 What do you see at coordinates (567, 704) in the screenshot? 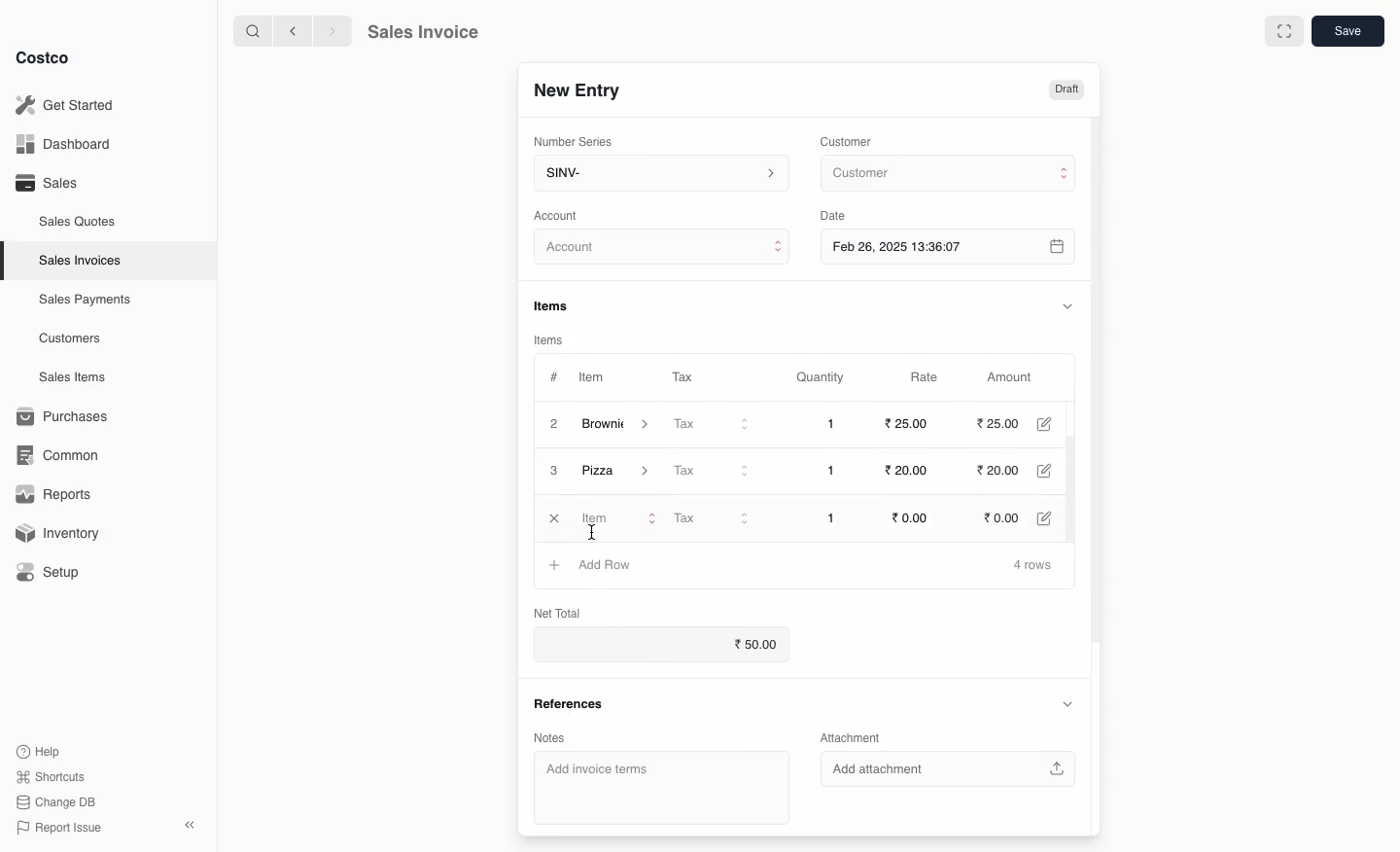
I see `References` at bounding box center [567, 704].